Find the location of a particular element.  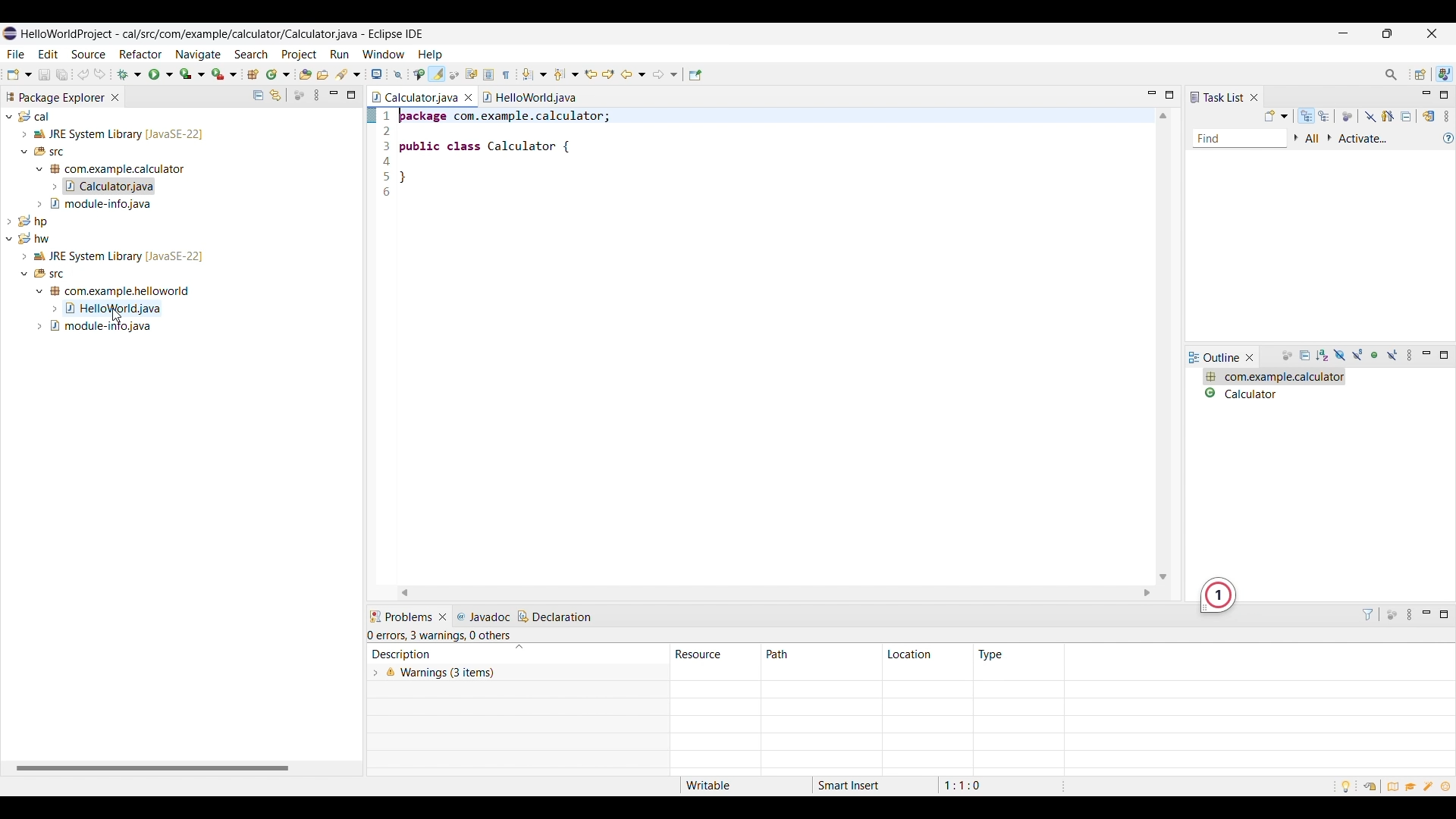

Indicates current set selected is located at coordinates (371, 115).